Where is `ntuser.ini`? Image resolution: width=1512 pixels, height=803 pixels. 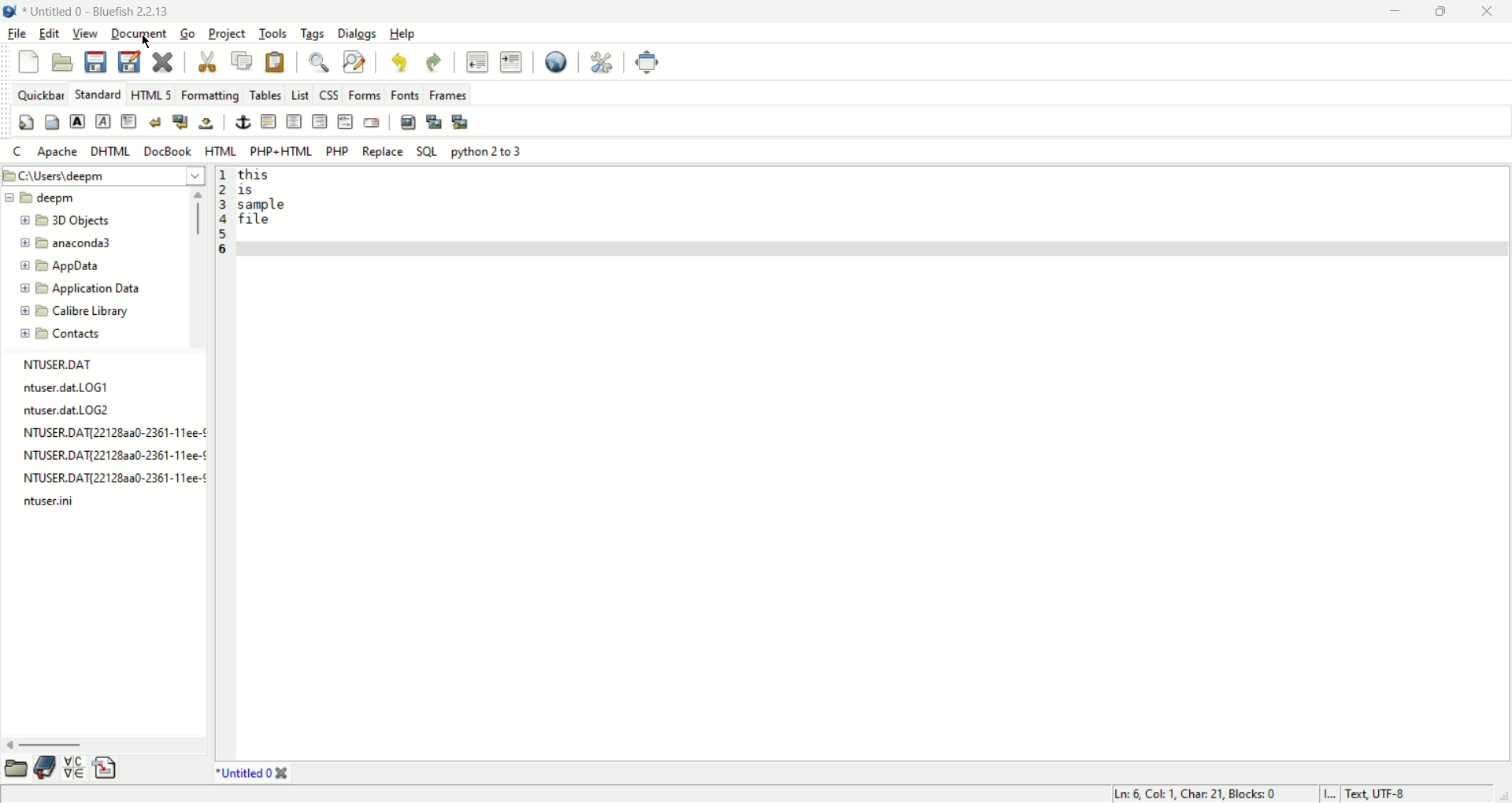
ntuser.ini is located at coordinates (56, 500).